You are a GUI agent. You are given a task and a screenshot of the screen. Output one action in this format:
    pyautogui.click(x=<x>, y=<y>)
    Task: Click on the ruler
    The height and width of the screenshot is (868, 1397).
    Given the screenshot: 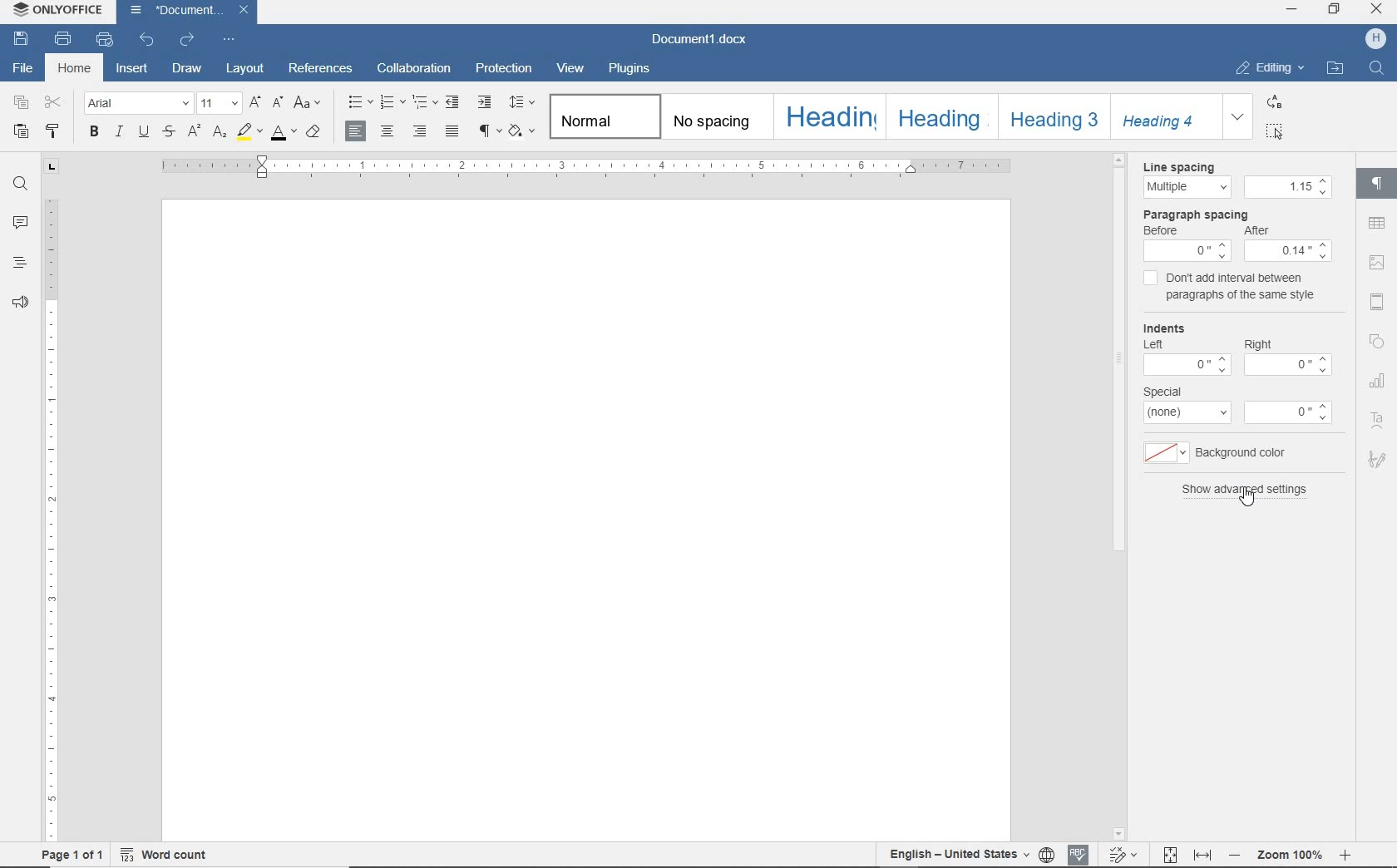 What is the action you would take?
    pyautogui.click(x=52, y=501)
    